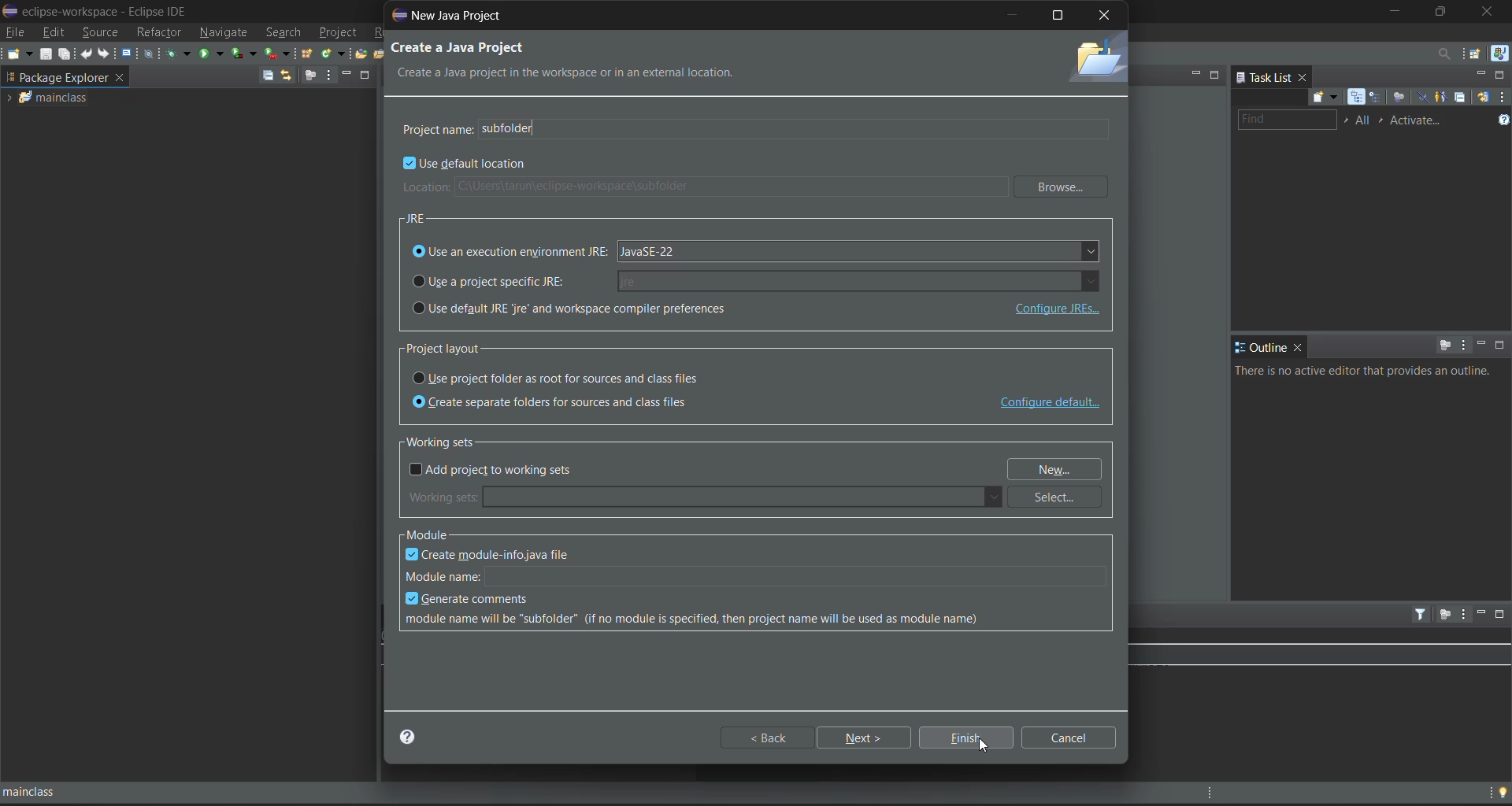  Describe the element at coordinates (1346, 120) in the screenshot. I see `select working set` at that location.